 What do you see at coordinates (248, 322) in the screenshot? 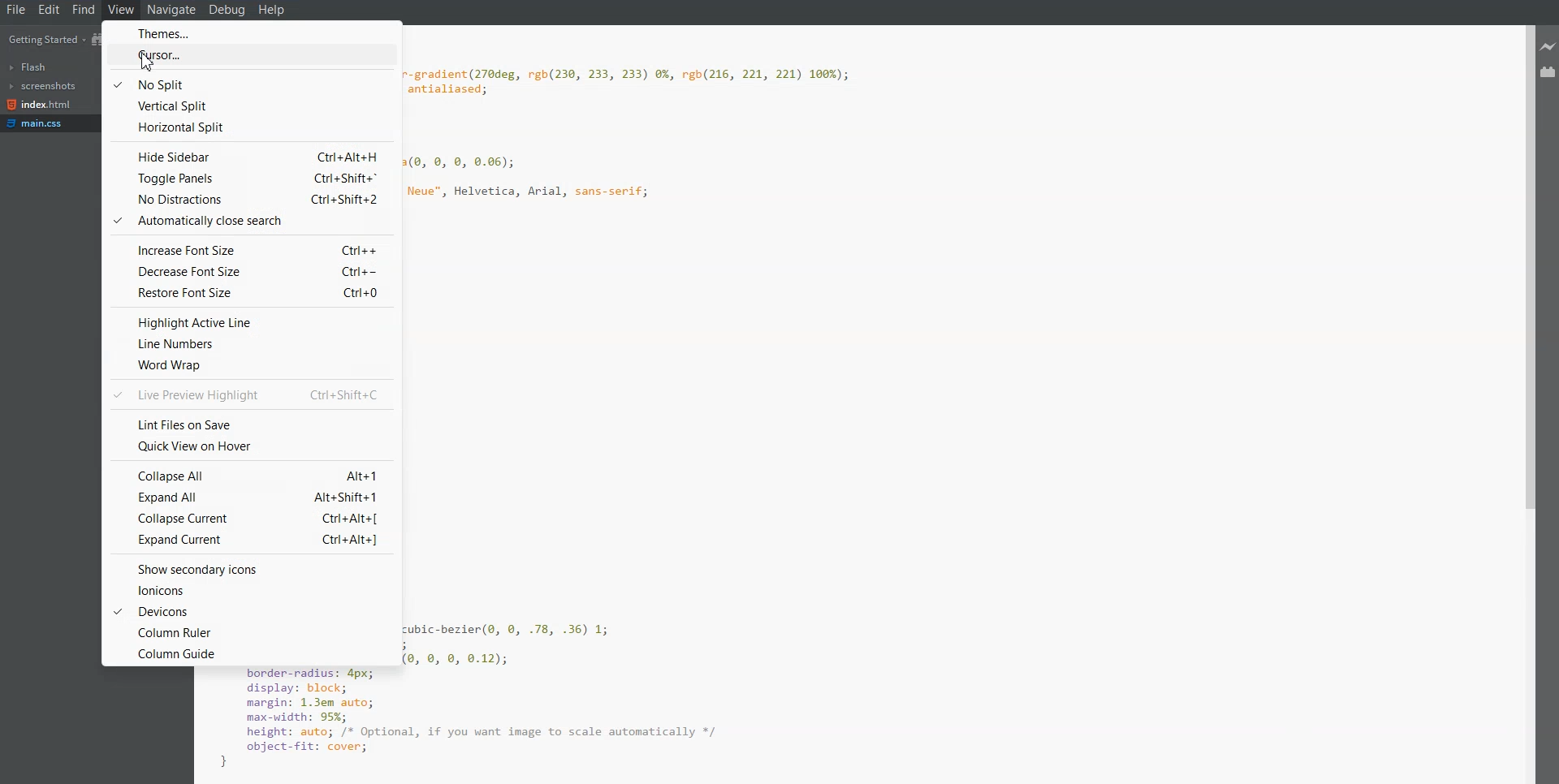
I see `Highlight Active Line` at bounding box center [248, 322].